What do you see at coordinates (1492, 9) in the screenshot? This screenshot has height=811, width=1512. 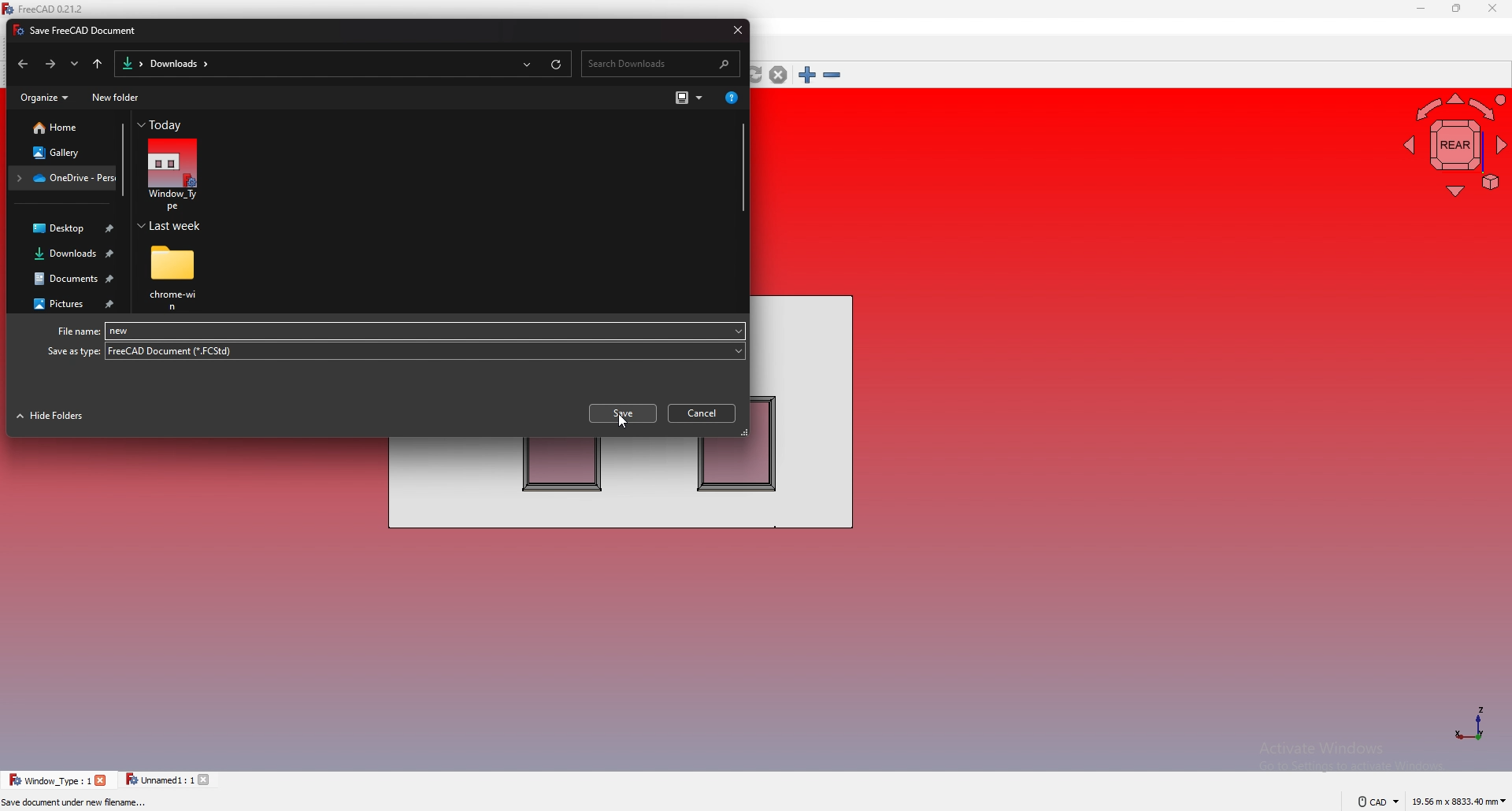 I see `close` at bounding box center [1492, 9].